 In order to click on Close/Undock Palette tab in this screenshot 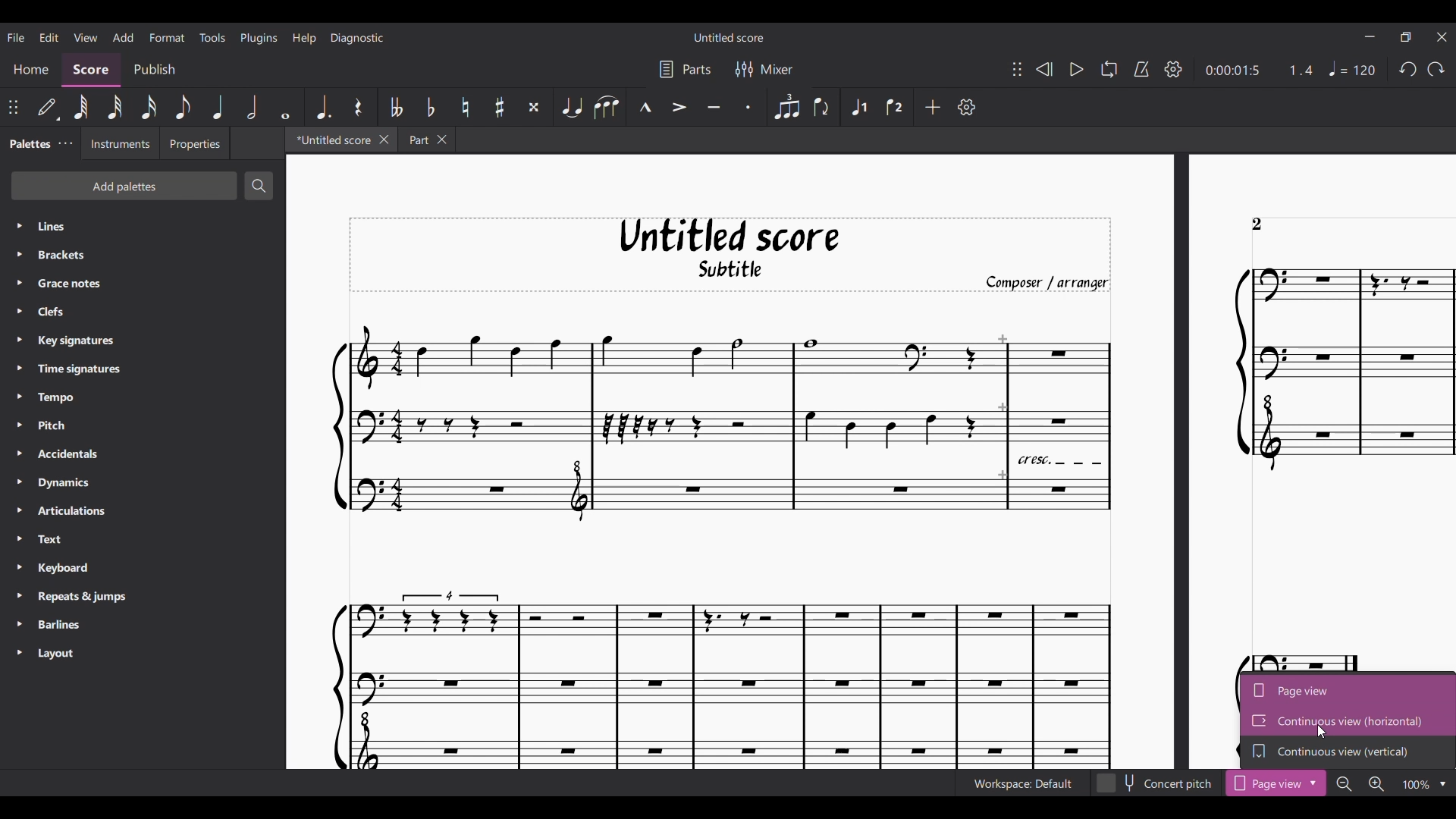, I will do `click(66, 143)`.